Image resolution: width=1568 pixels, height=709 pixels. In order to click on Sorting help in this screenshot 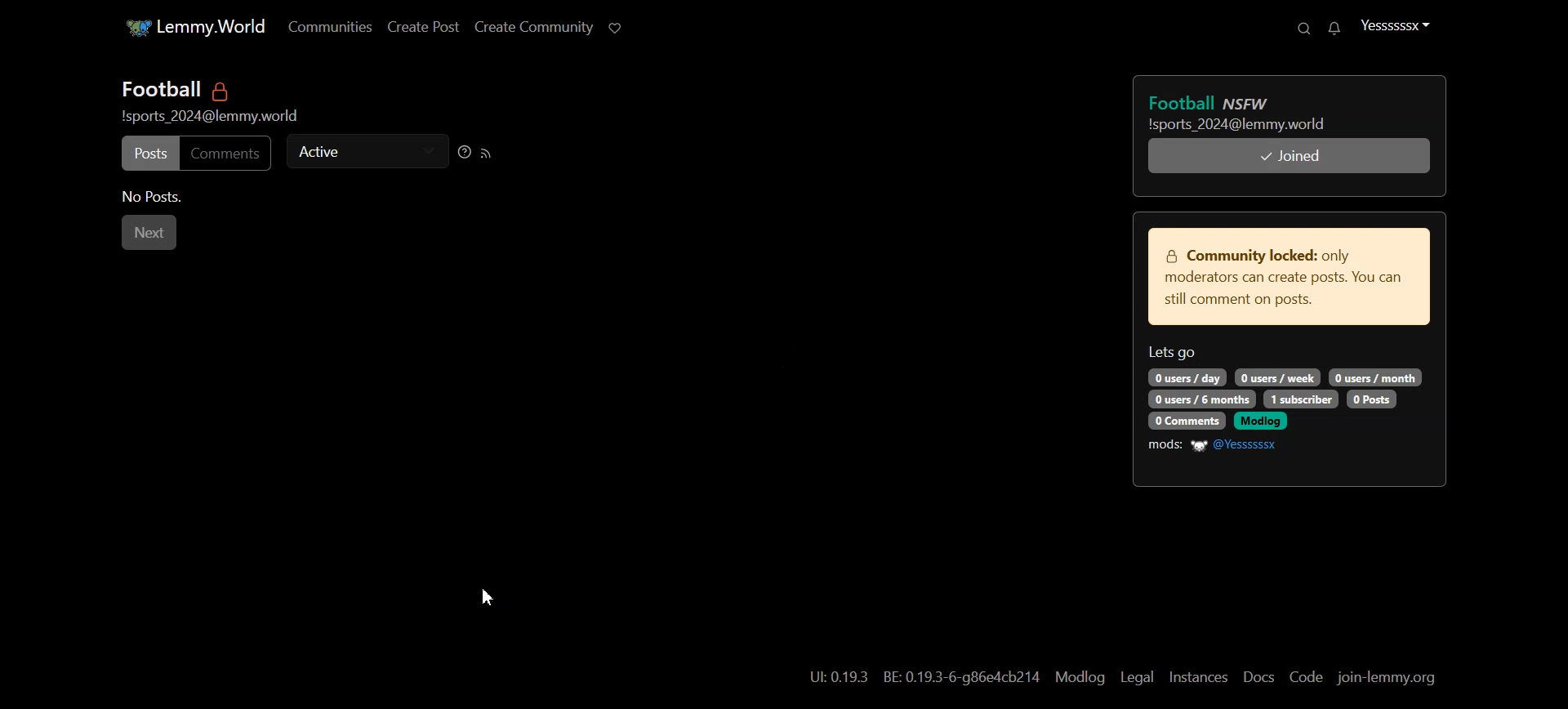, I will do `click(465, 152)`.